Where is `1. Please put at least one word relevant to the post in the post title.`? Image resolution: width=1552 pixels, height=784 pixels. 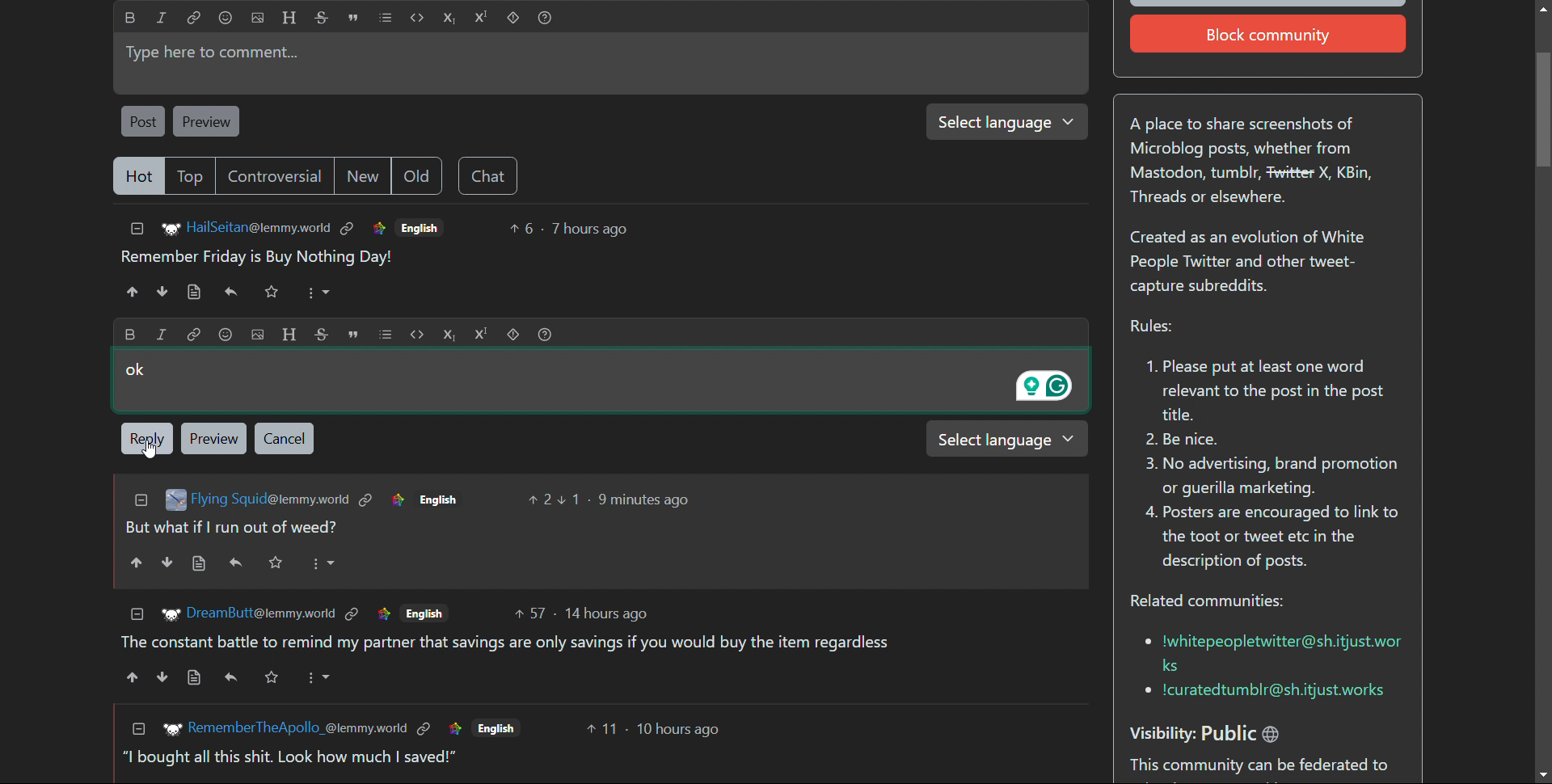 1. Please put at least one word relevant to the post in the post title. is located at coordinates (1261, 391).